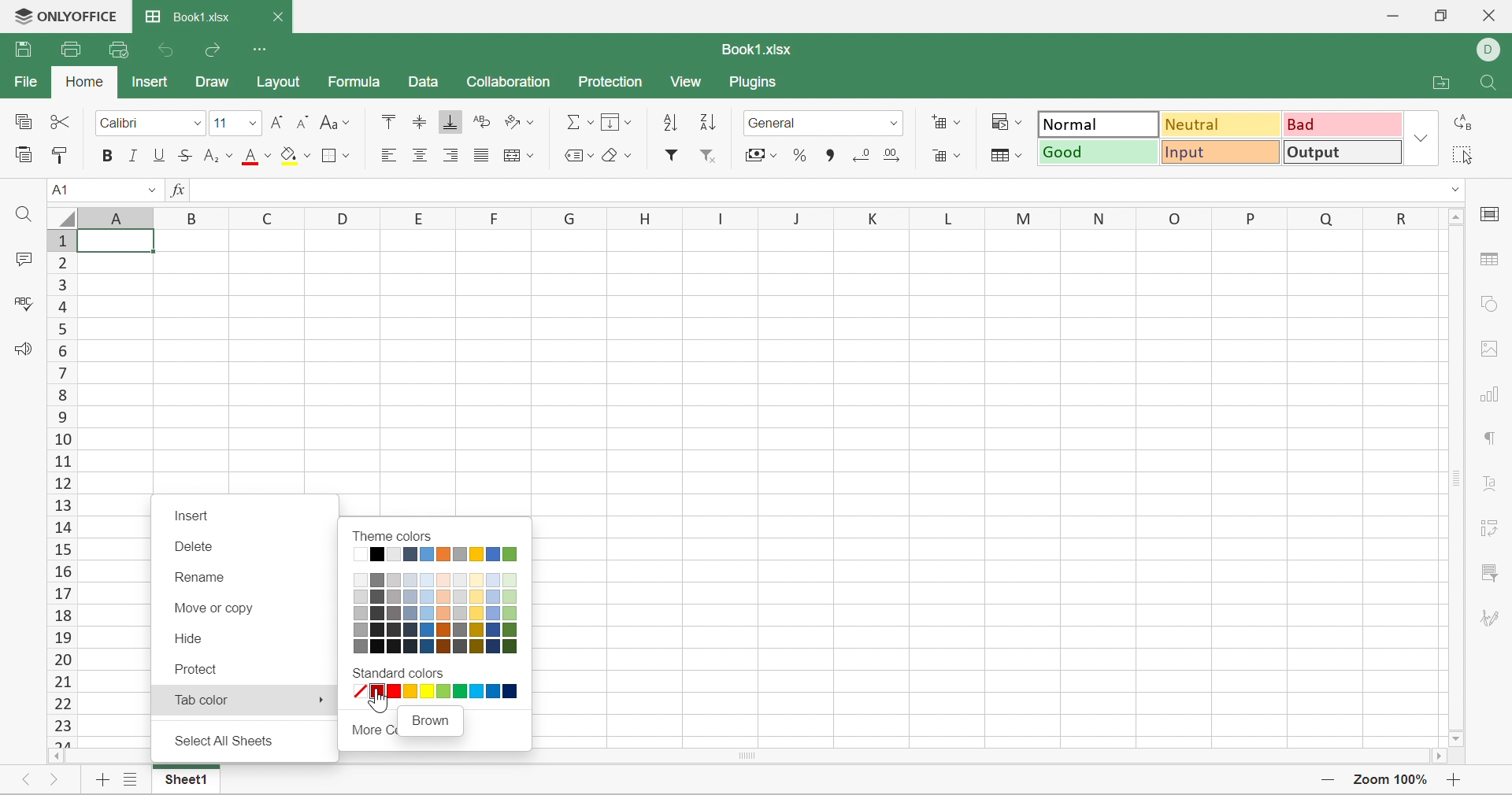 The image size is (1512, 795). What do you see at coordinates (109, 157) in the screenshot?
I see `bold` at bounding box center [109, 157].